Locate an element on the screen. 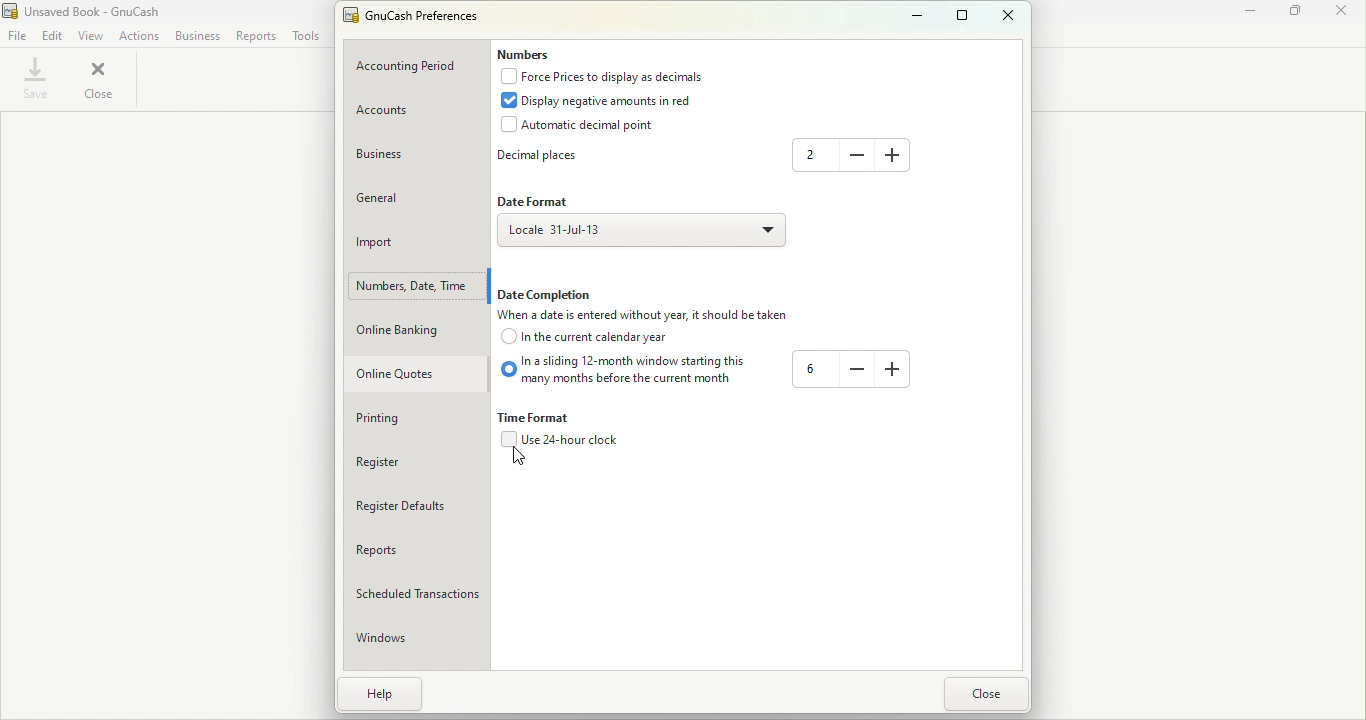  Minimize is located at coordinates (916, 14).